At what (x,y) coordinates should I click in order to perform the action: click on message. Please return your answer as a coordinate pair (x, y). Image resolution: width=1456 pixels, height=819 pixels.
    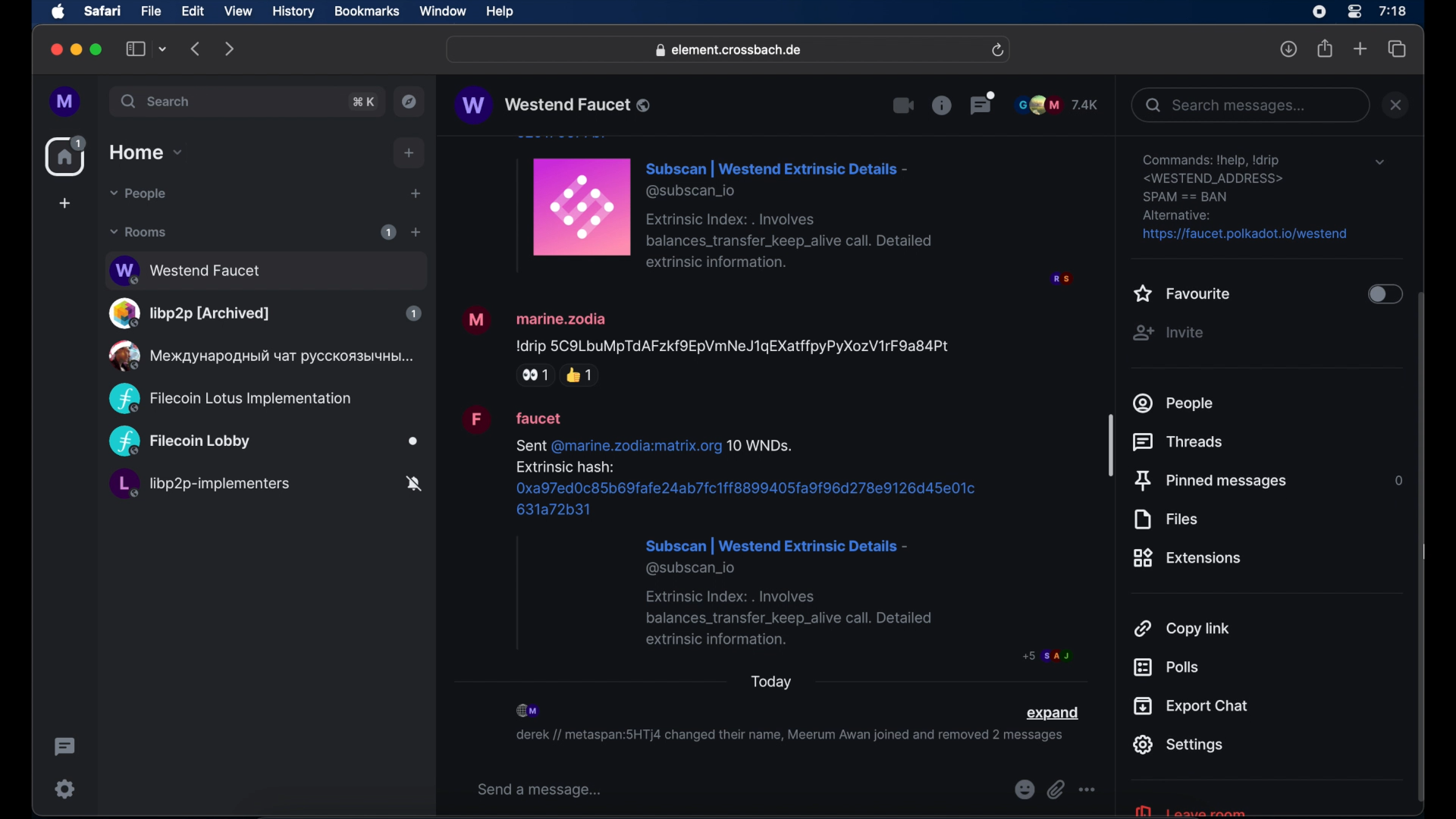
    Looking at the image, I should click on (766, 535).